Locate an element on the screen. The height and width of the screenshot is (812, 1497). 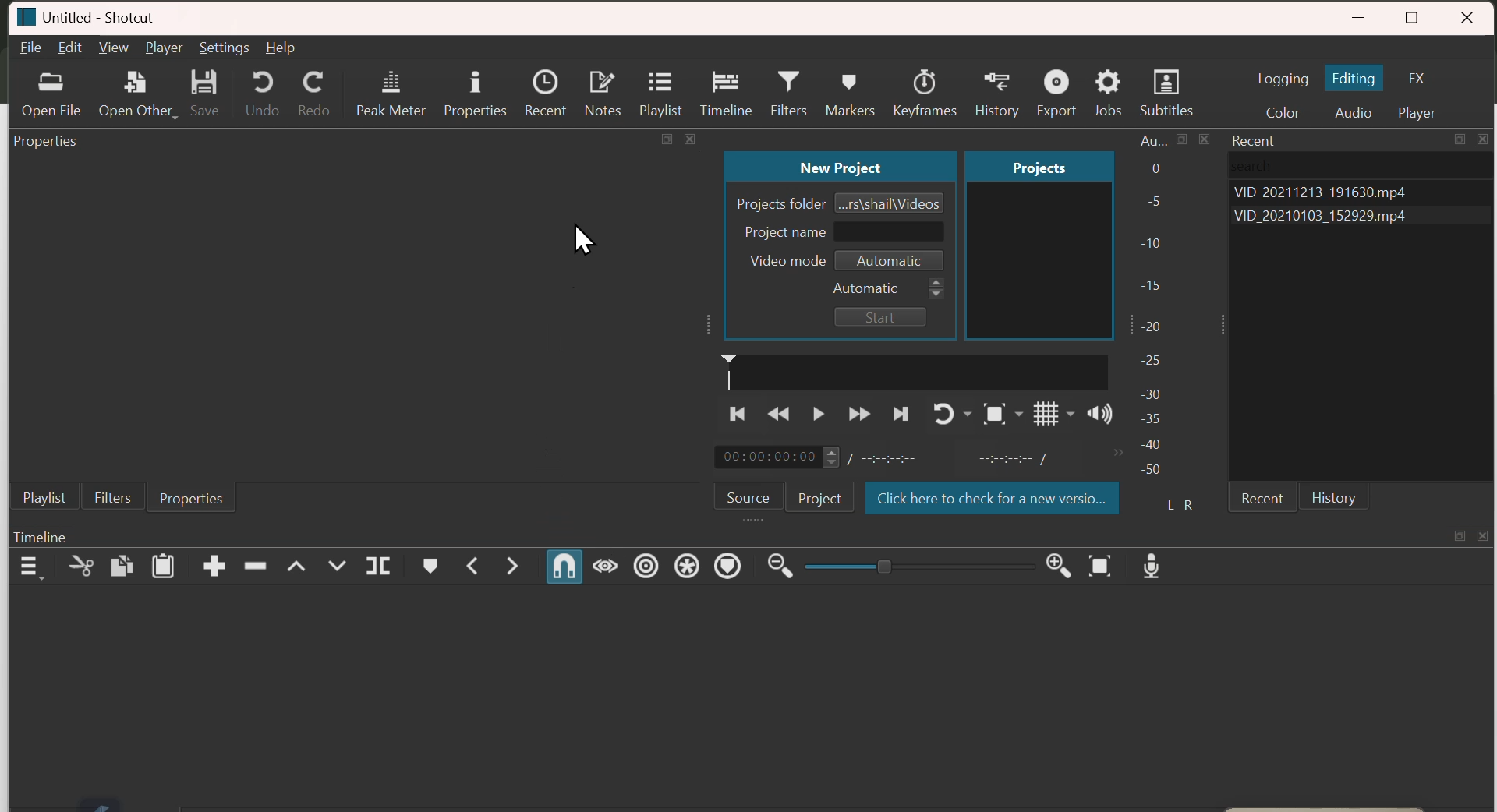
Snap is located at coordinates (564, 567).